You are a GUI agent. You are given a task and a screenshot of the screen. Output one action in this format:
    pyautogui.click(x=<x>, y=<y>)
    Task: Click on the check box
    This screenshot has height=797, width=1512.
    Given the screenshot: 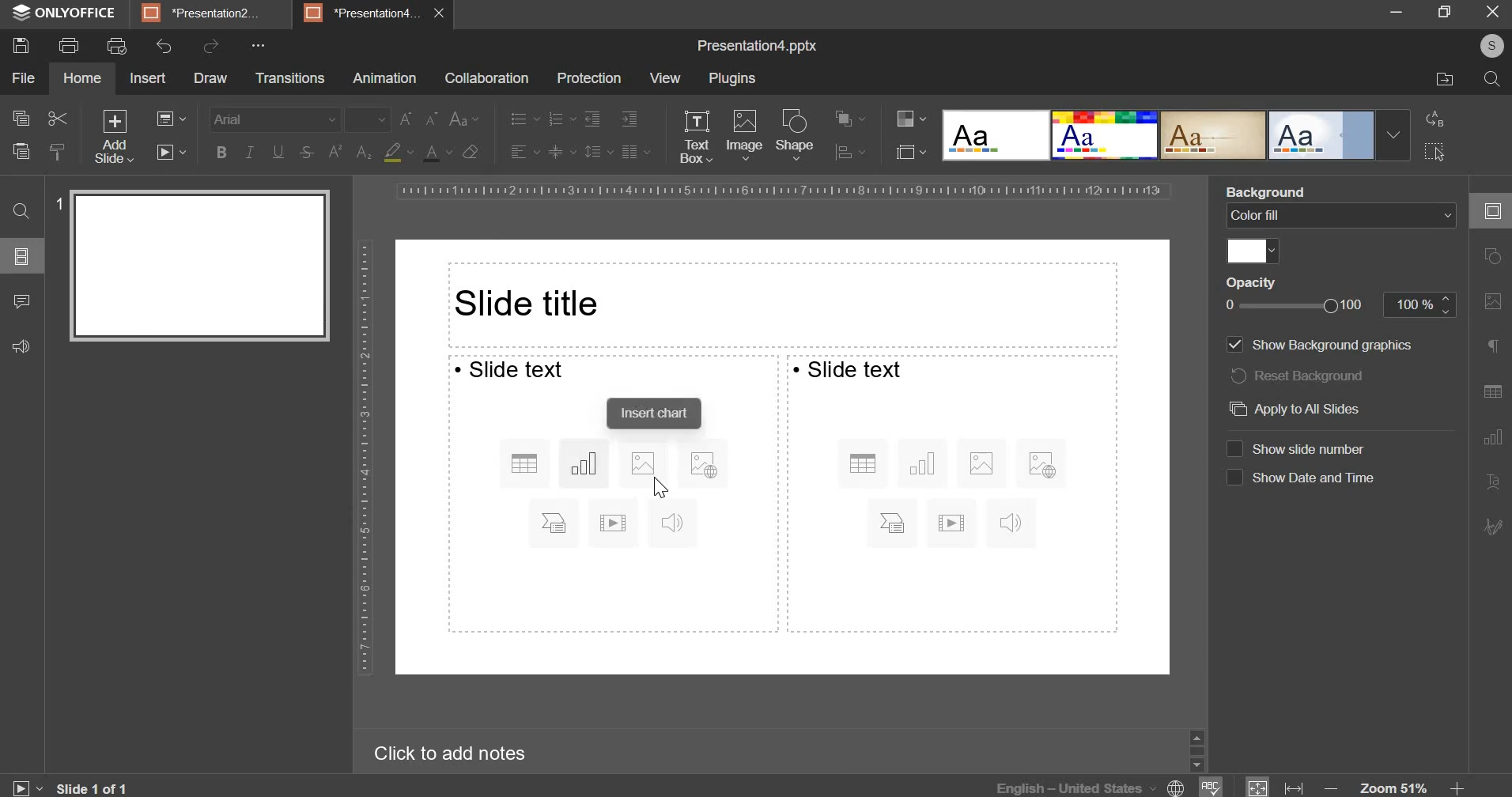 What is the action you would take?
    pyautogui.click(x=1234, y=478)
    